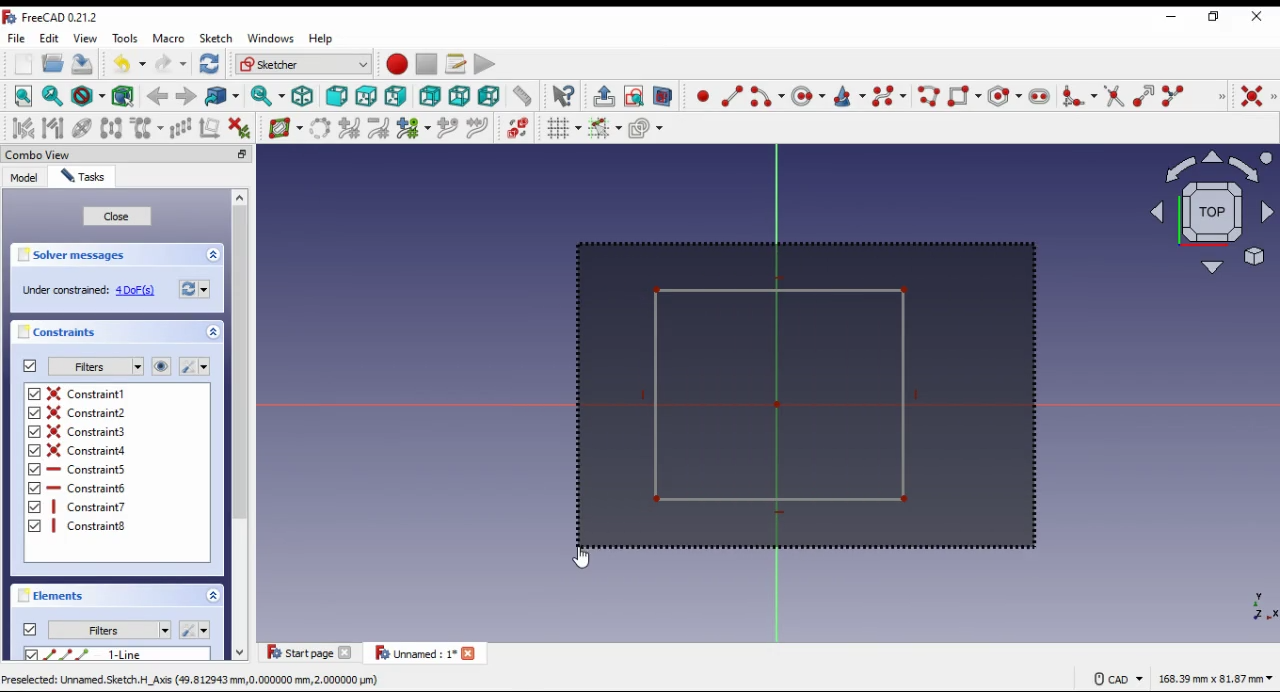 The height and width of the screenshot is (692, 1280). Describe the element at coordinates (703, 95) in the screenshot. I see `create point` at that location.